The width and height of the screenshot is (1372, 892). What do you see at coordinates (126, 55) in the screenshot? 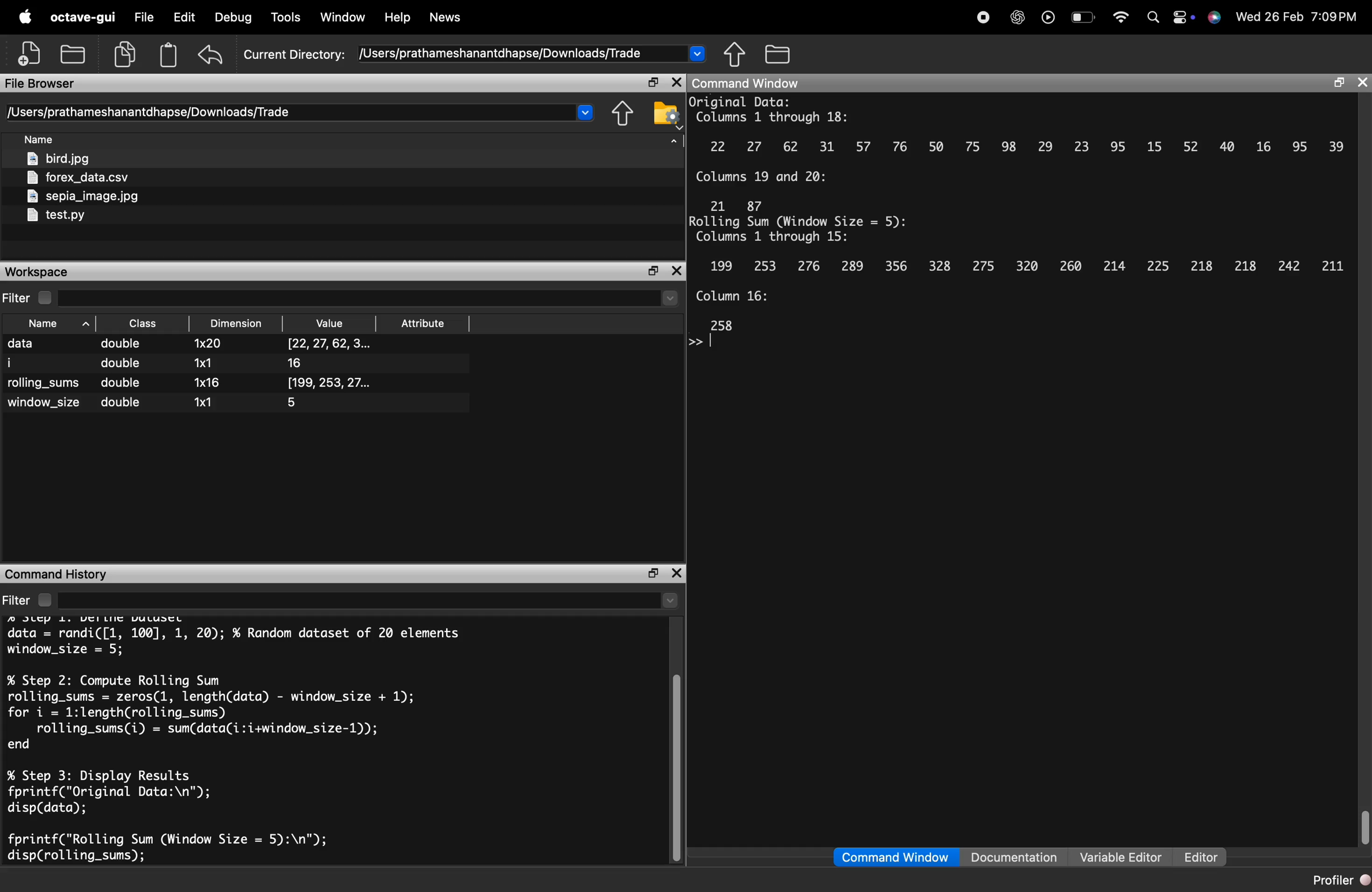
I see `copy` at bounding box center [126, 55].